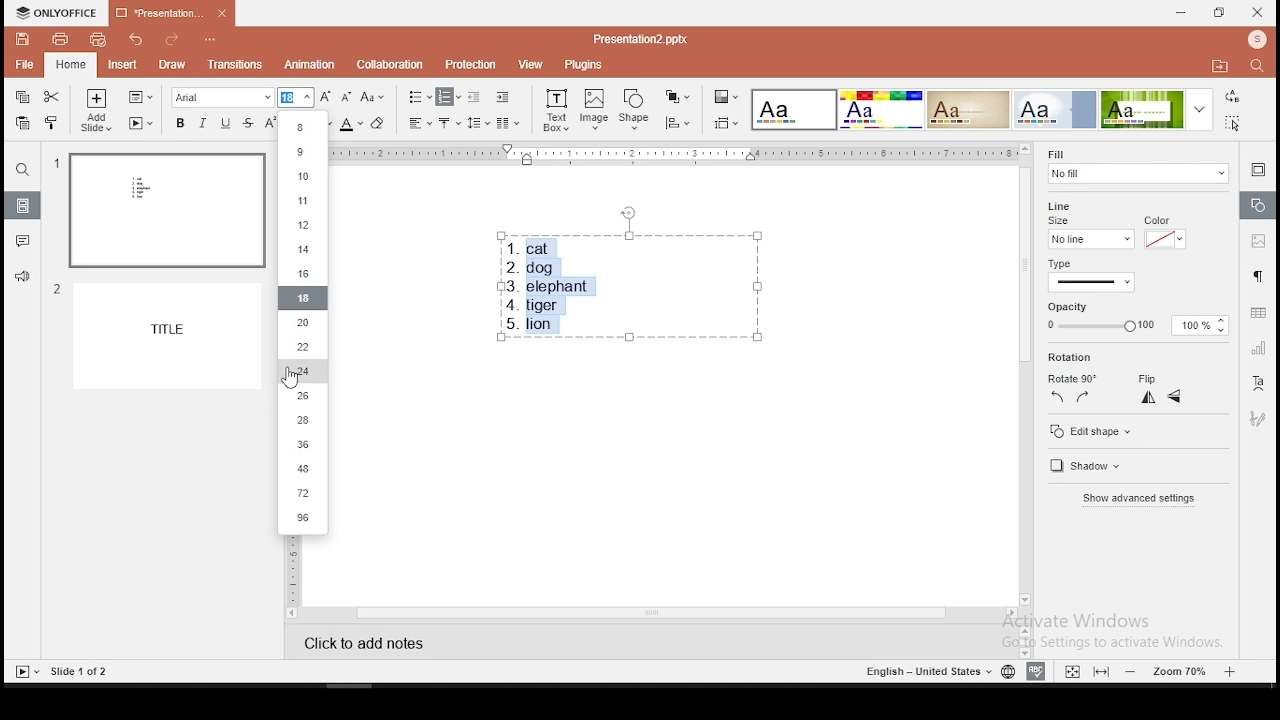  Describe the element at coordinates (21, 277) in the screenshot. I see `support and feedback` at that location.